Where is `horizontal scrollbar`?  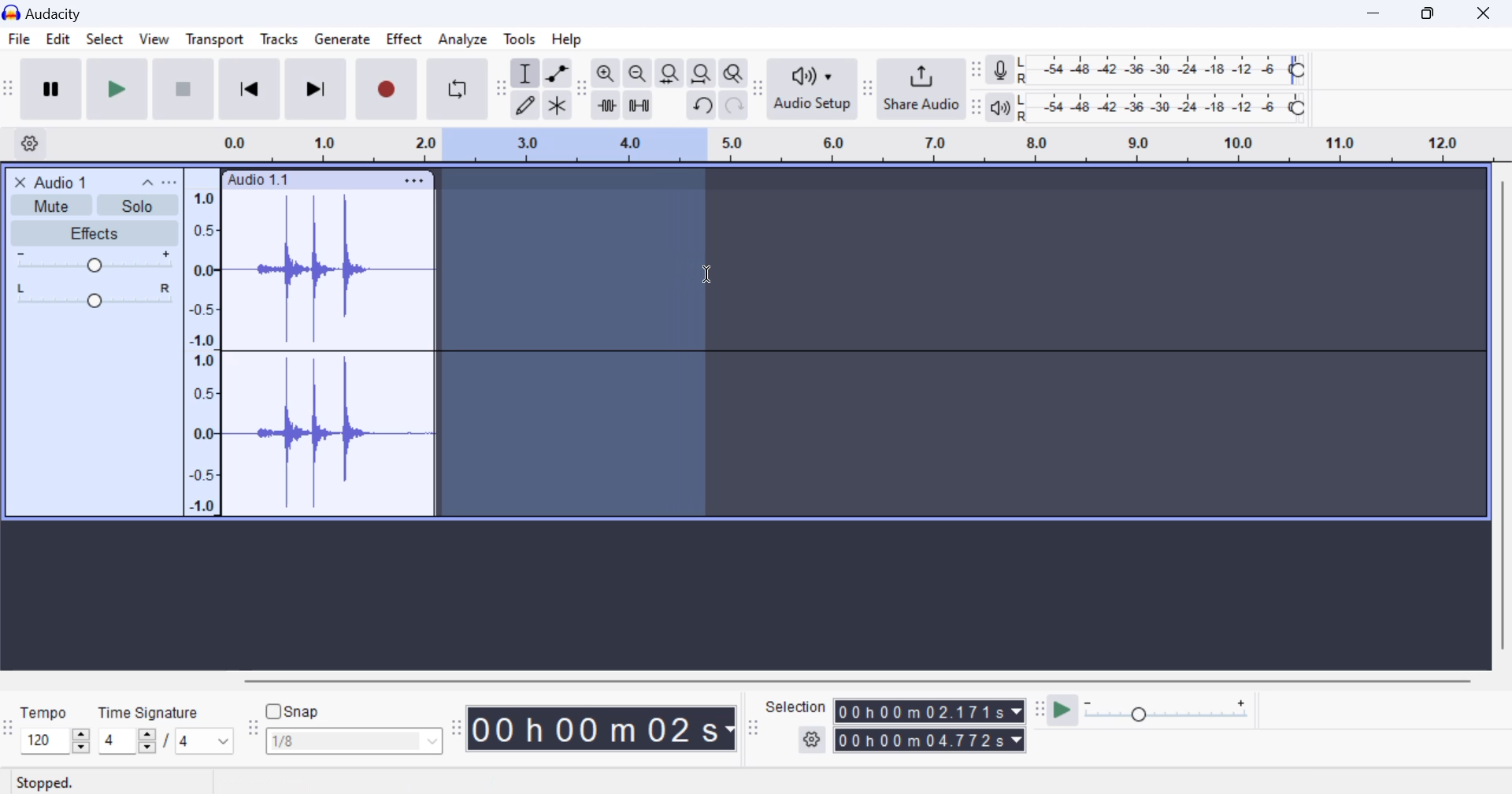 horizontal scrollbar is located at coordinates (873, 678).